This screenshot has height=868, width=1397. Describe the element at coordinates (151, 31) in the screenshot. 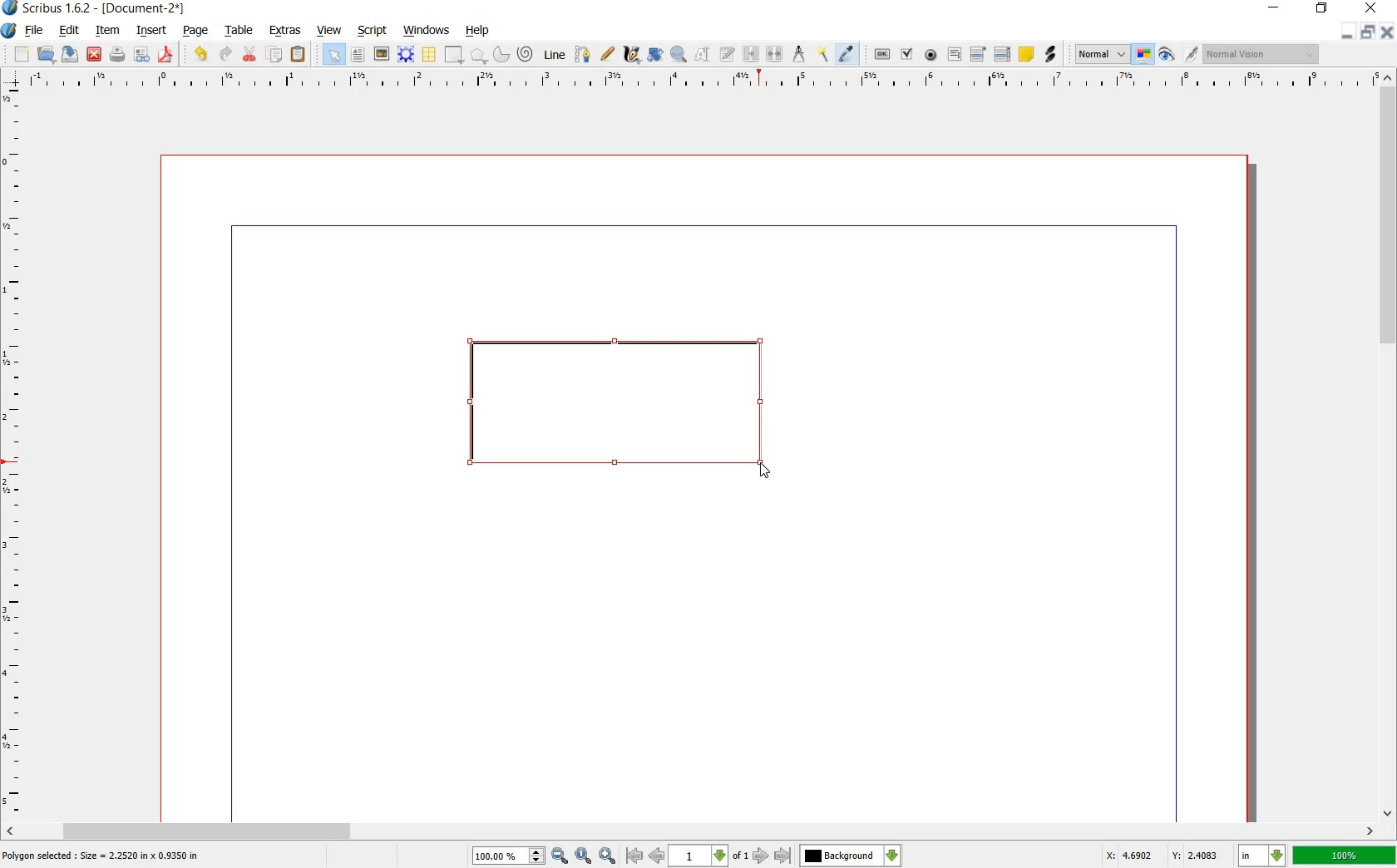

I see `INSERT` at that location.